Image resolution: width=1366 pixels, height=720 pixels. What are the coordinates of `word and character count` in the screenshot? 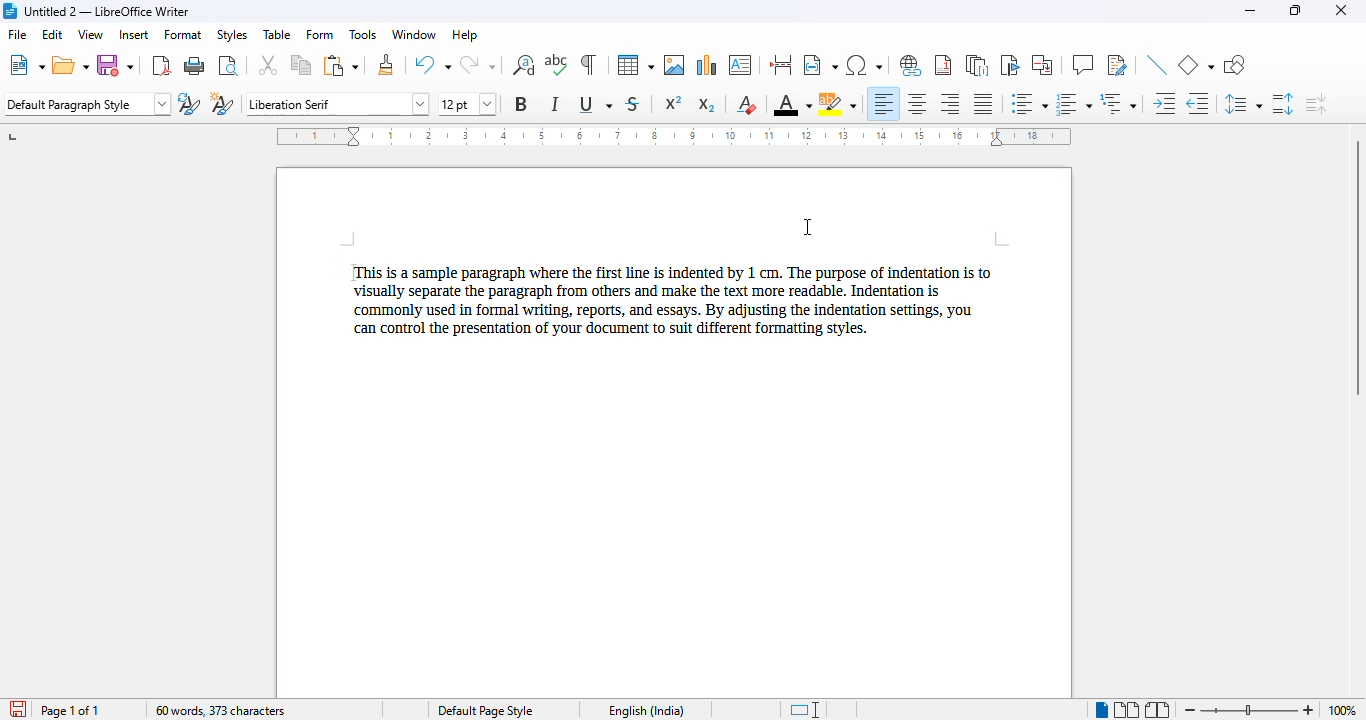 It's located at (219, 710).